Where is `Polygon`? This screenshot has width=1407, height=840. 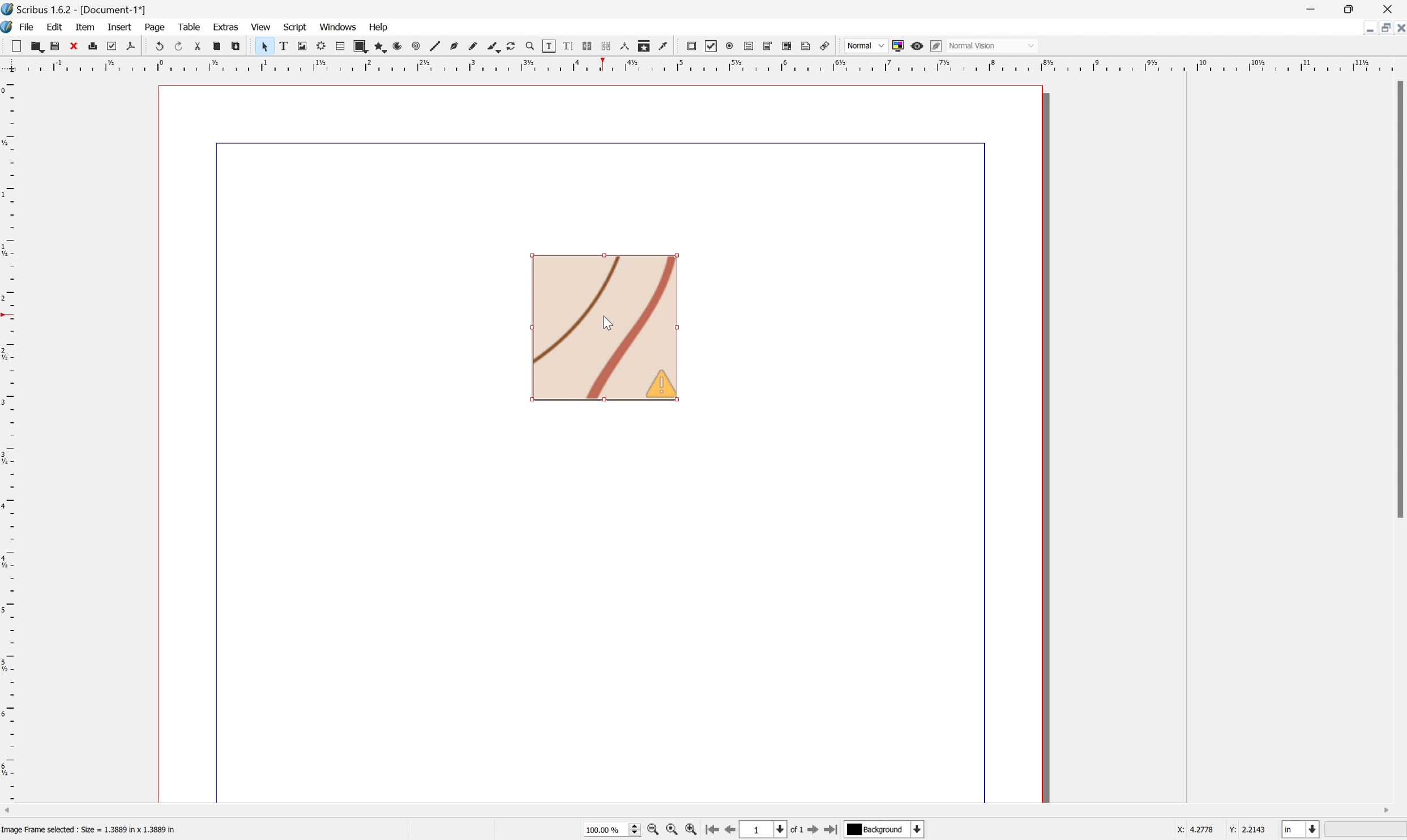 Polygon is located at coordinates (381, 45).